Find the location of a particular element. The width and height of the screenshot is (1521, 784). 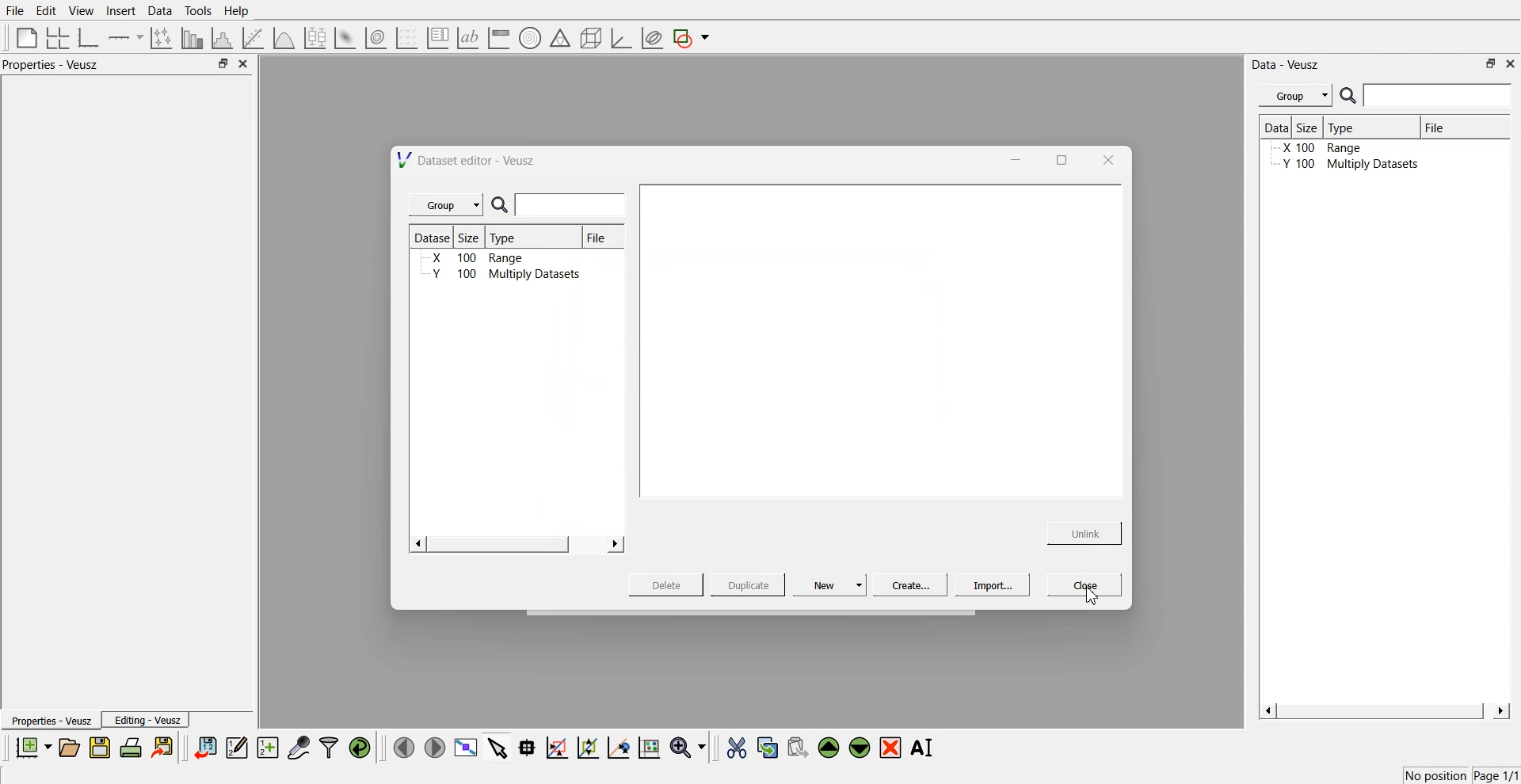

arrange graphs is located at coordinates (55, 37).